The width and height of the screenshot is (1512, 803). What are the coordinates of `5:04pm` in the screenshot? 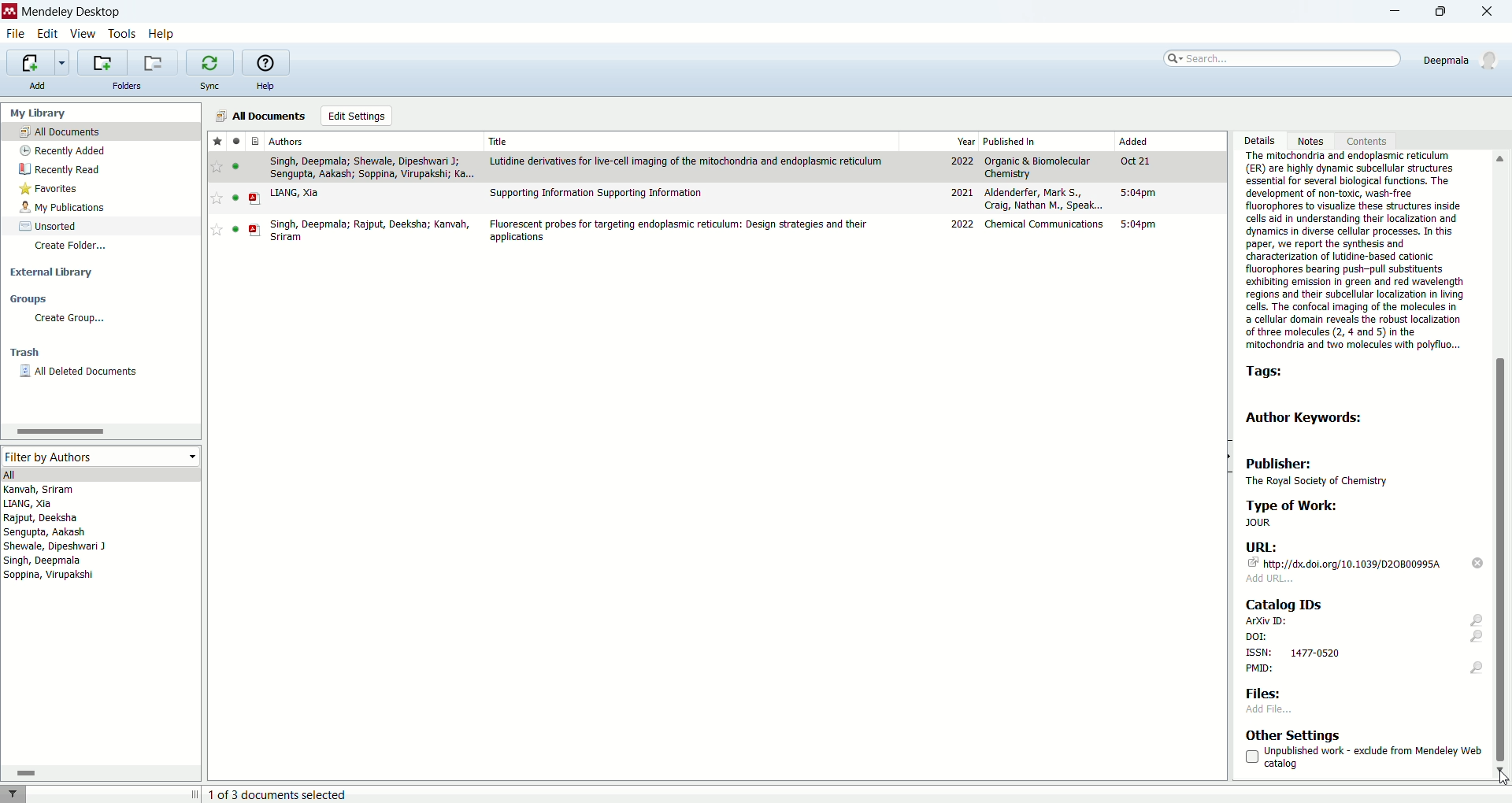 It's located at (1139, 192).